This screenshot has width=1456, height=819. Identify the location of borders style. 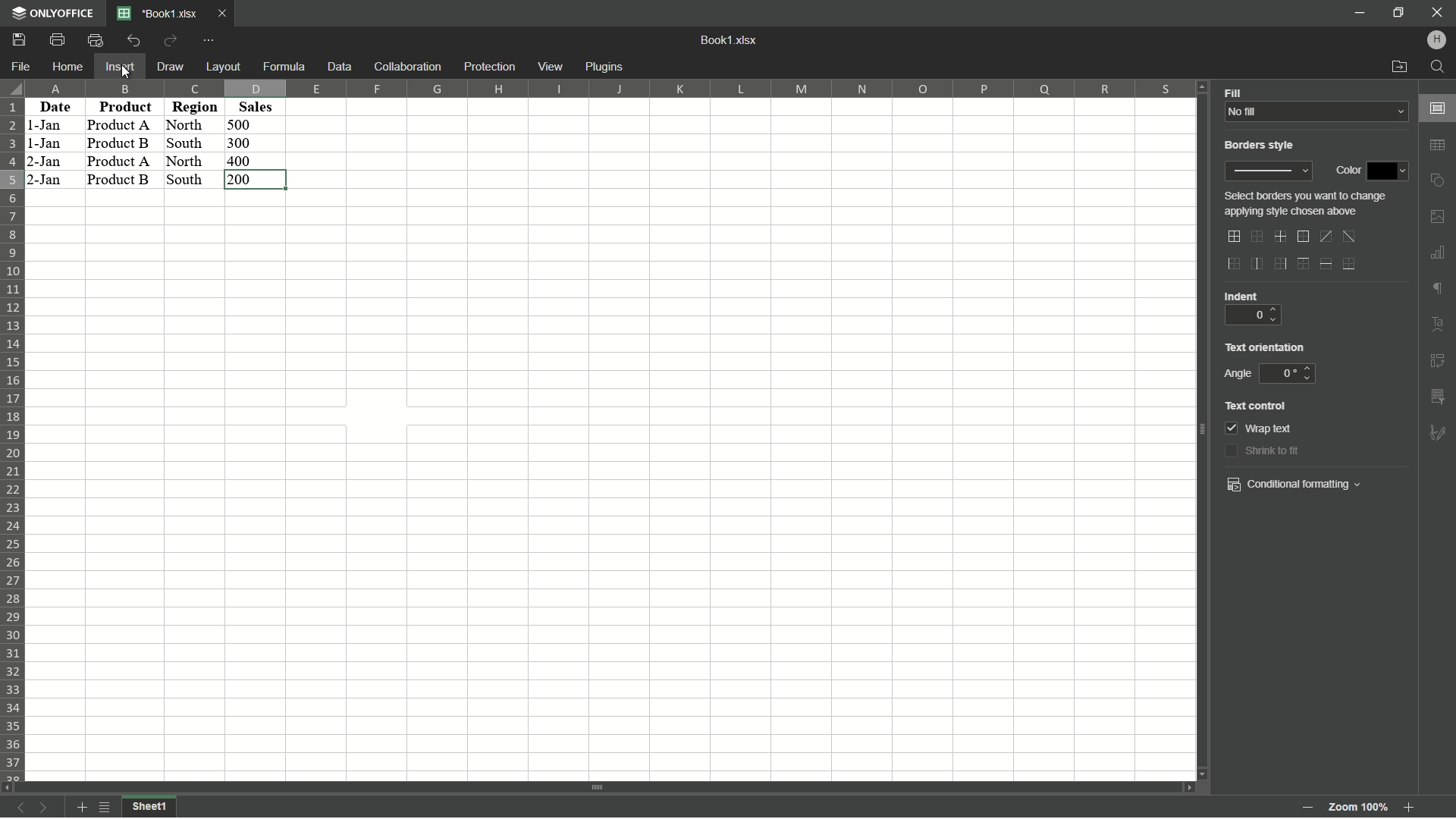
(1258, 147).